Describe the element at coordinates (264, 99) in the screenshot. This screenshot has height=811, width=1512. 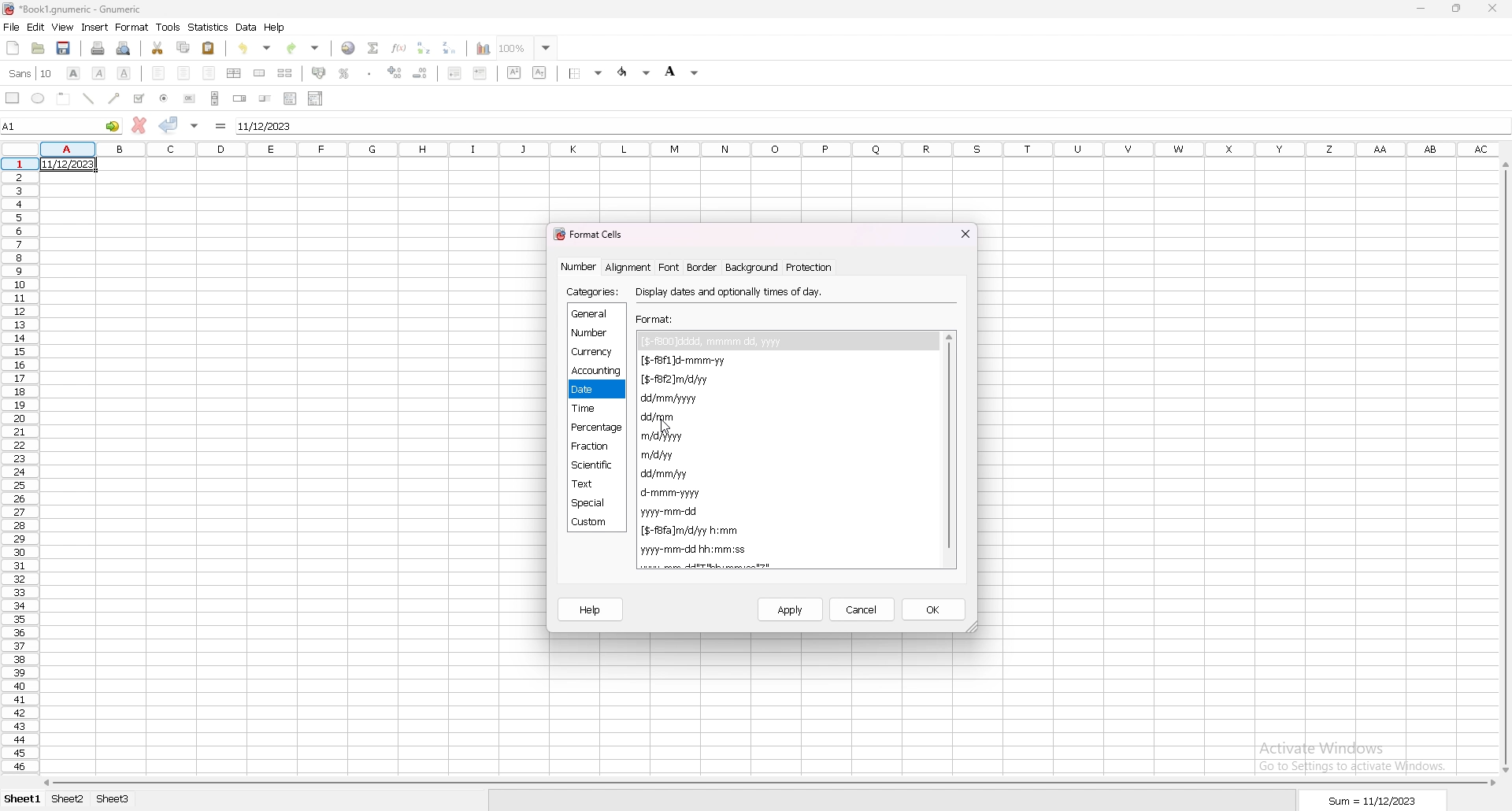
I see `slider` at that location.